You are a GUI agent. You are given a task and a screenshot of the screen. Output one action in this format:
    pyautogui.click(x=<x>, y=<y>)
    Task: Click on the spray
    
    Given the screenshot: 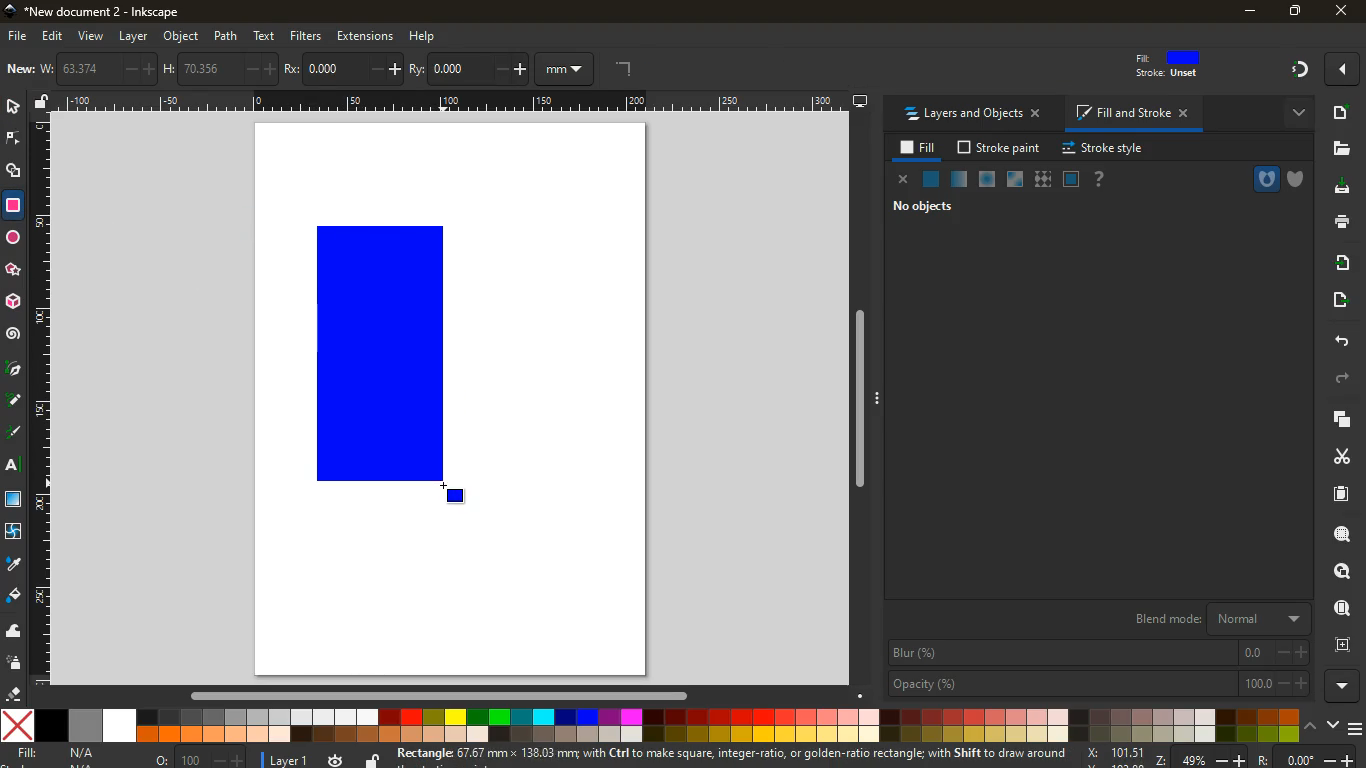 What is the action you would take?
    pyautogui.click(x=15, y=663)
    